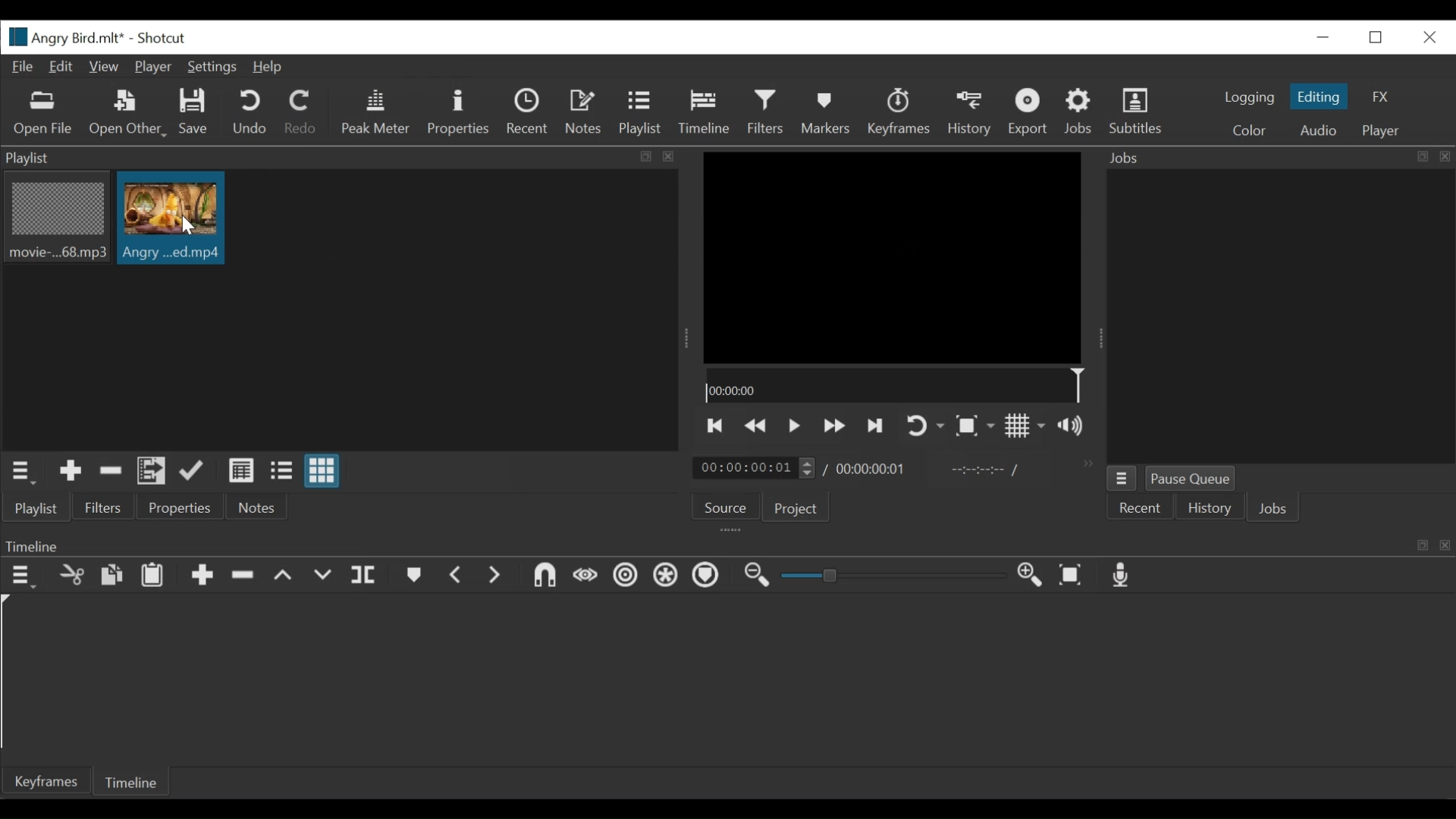 This screenshot has width=1456, height=819. What do you see at coordinates (1208, 507) in the screenshot?
I see `History` at bounding box center [1208, 507].